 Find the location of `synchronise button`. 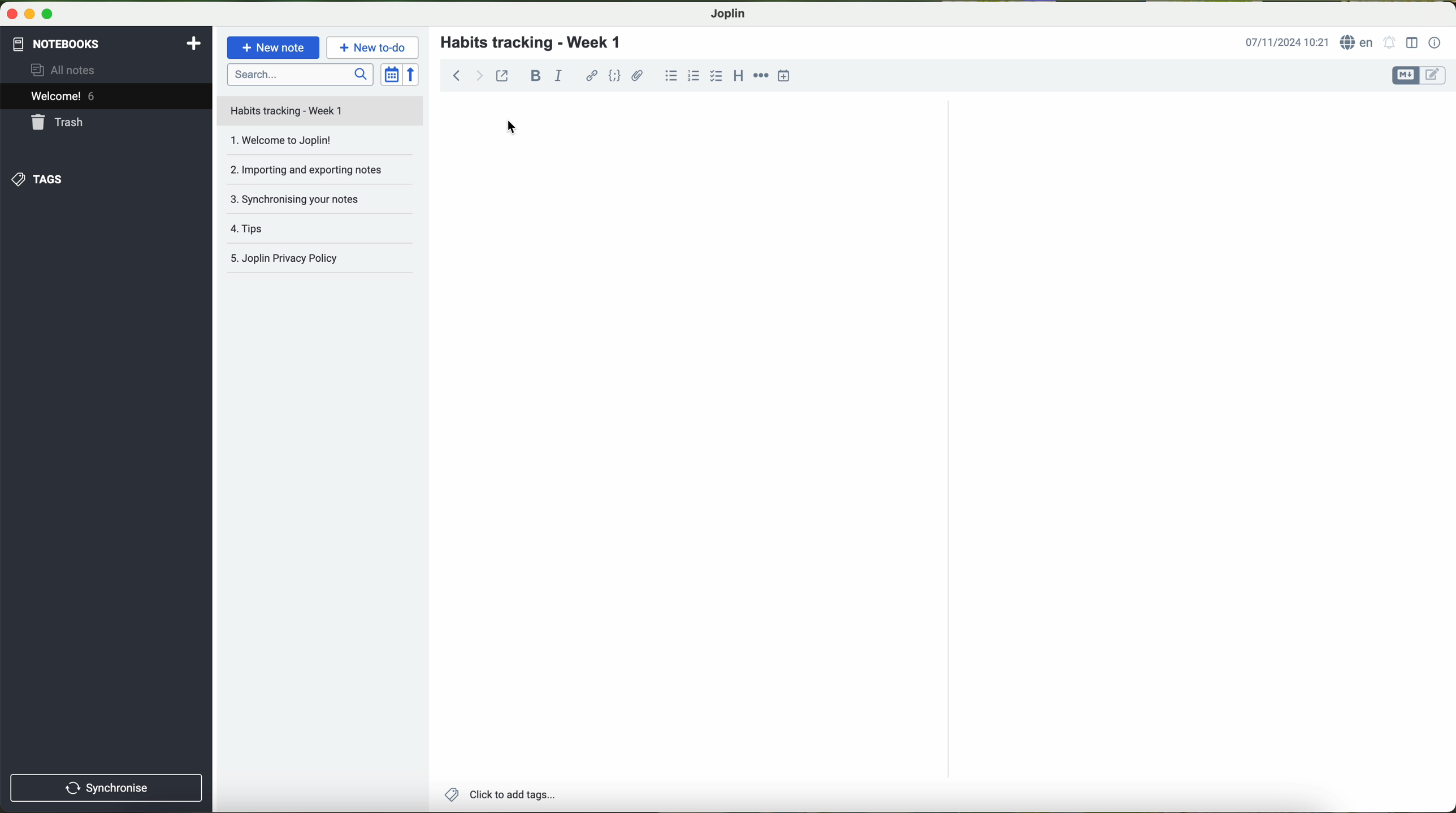

synchronise button is located at coordinates (107, 788).